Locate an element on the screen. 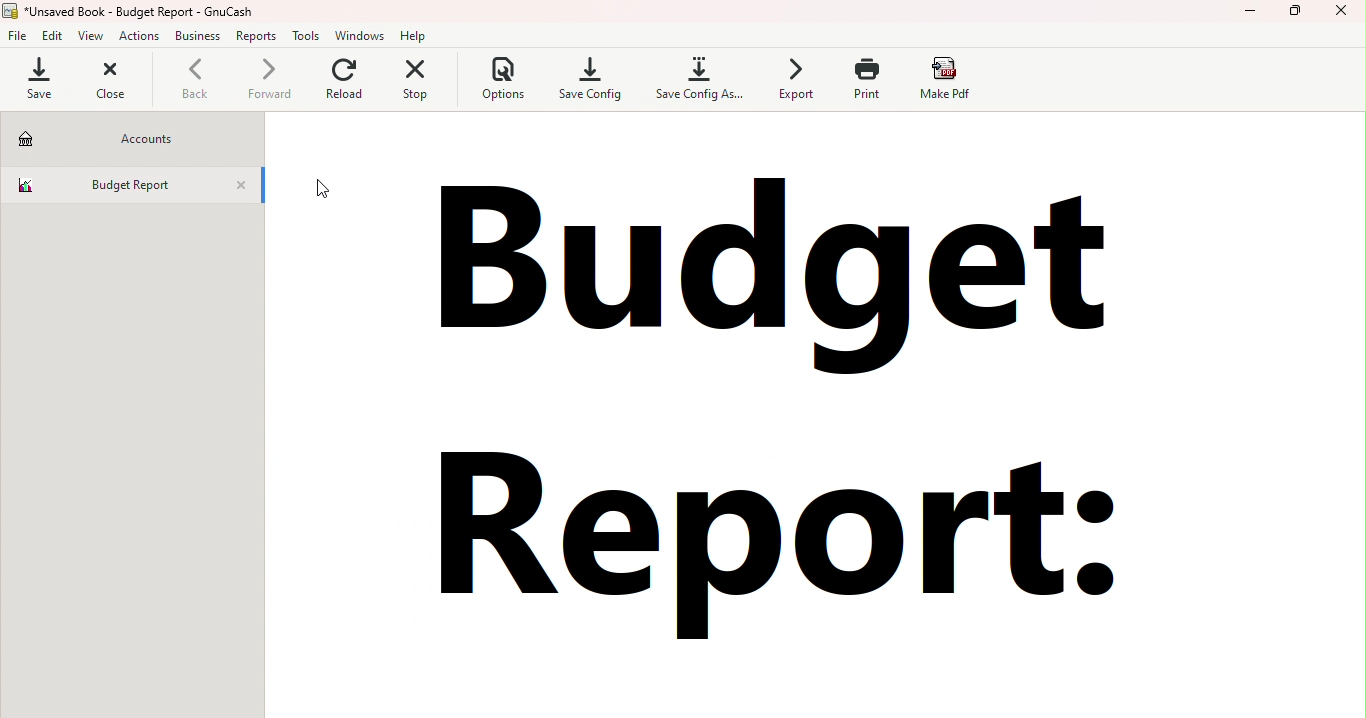 This screenshot has width=1366, height=718. Print is located at coordinates (864, 78).